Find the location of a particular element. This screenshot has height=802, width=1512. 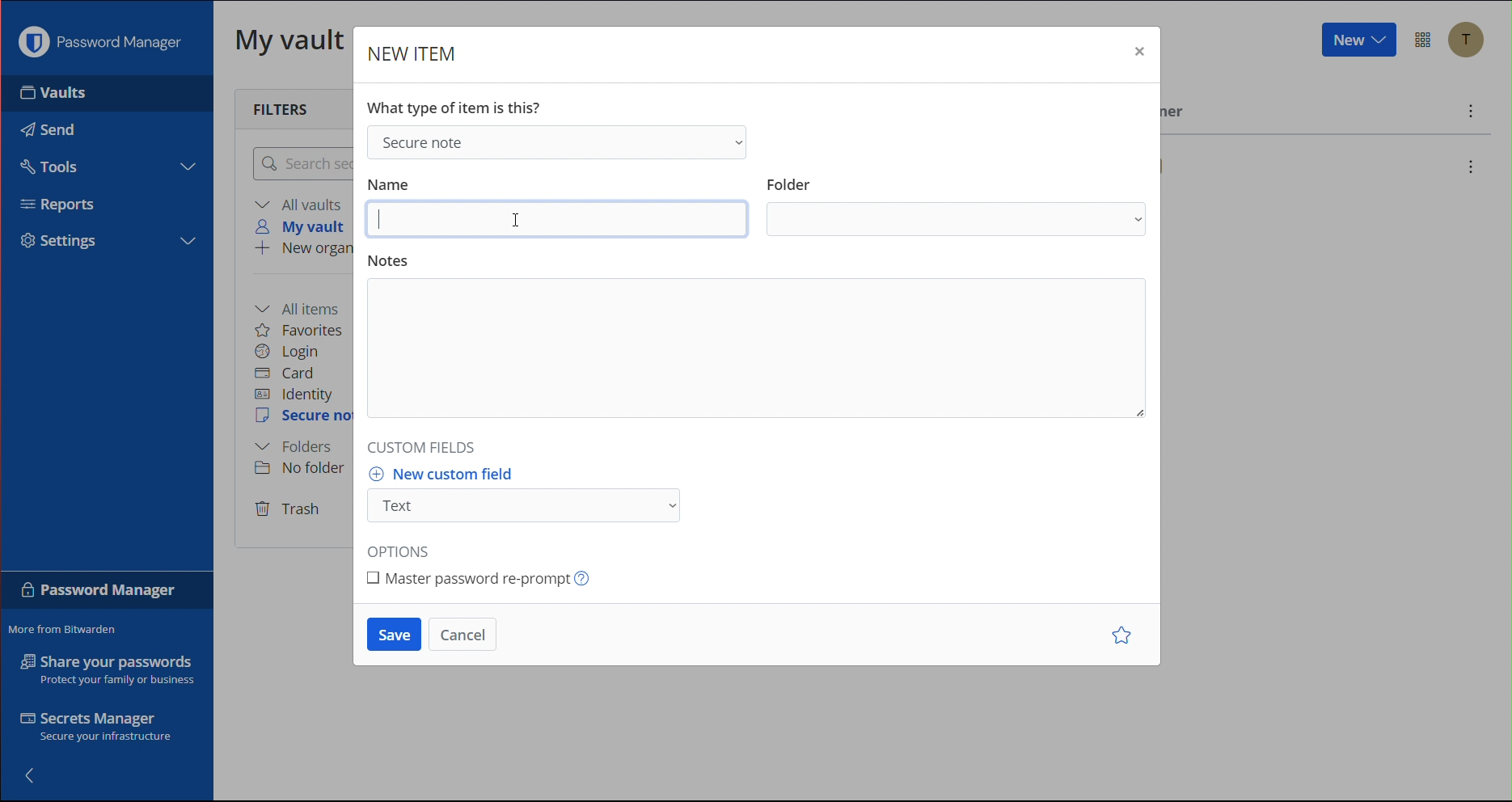

Identity is located at coordinates (294, 395).